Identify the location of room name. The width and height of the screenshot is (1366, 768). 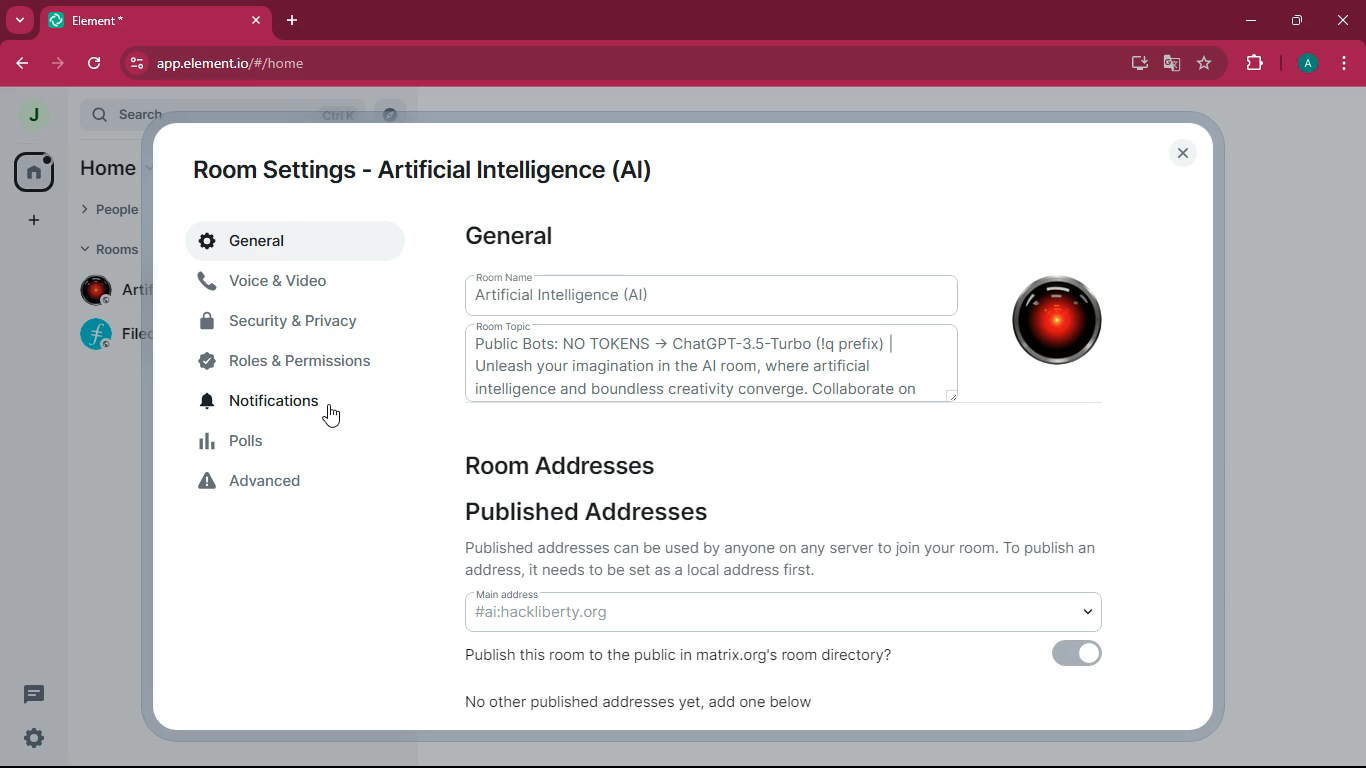
(710, 294).